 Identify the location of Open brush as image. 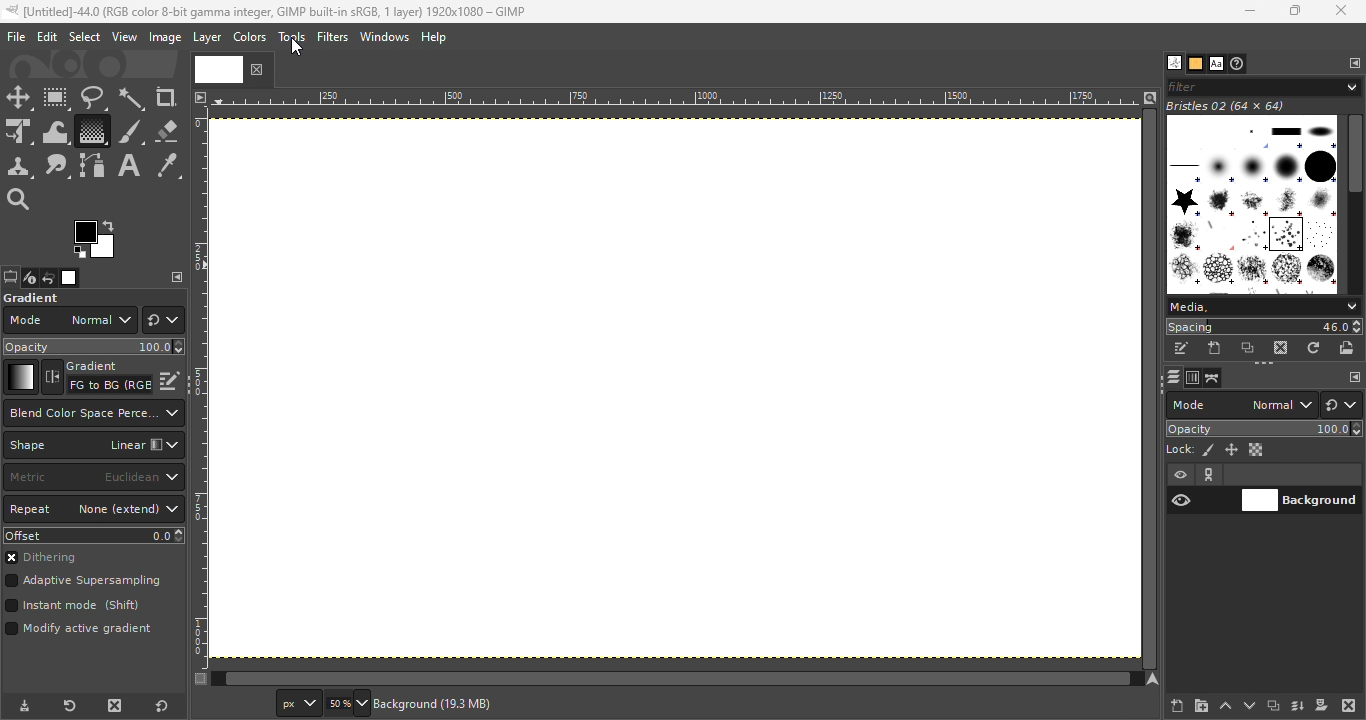
(1348, 347).